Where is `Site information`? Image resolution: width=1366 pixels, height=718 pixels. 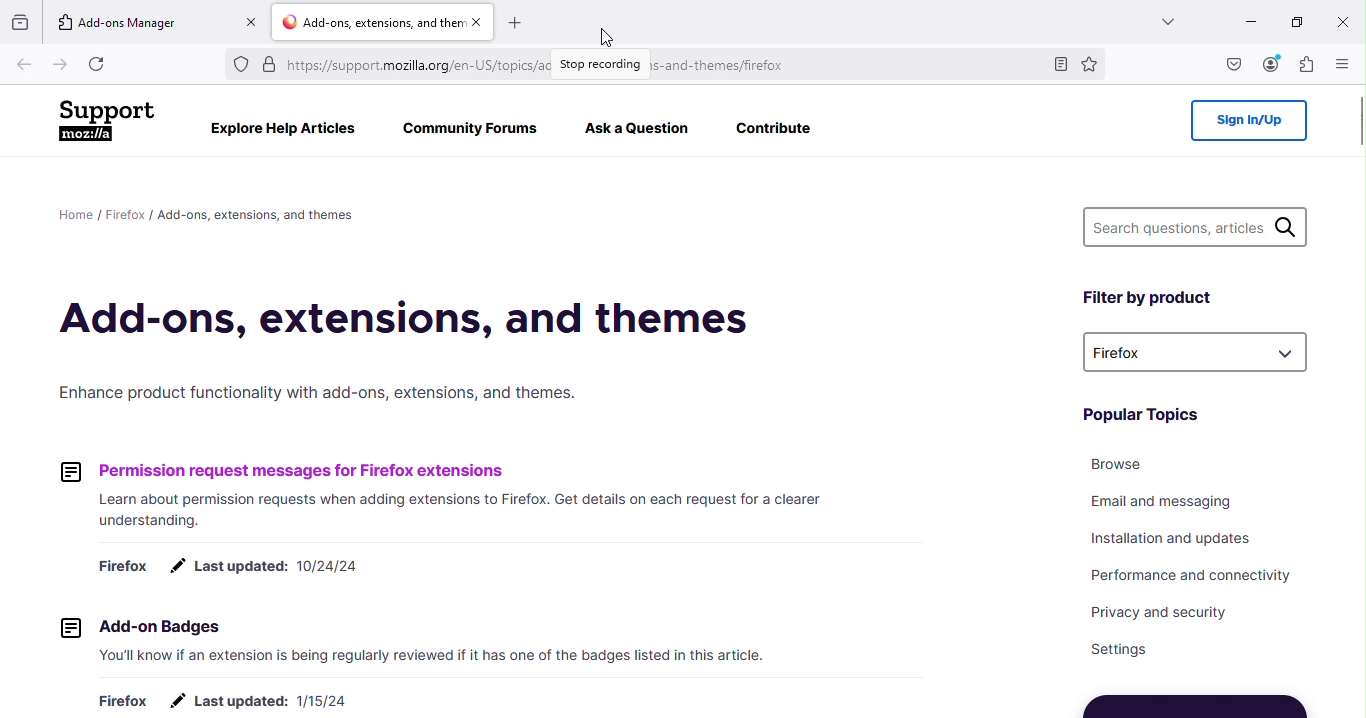 Site information is located at coordinates (269, 64).